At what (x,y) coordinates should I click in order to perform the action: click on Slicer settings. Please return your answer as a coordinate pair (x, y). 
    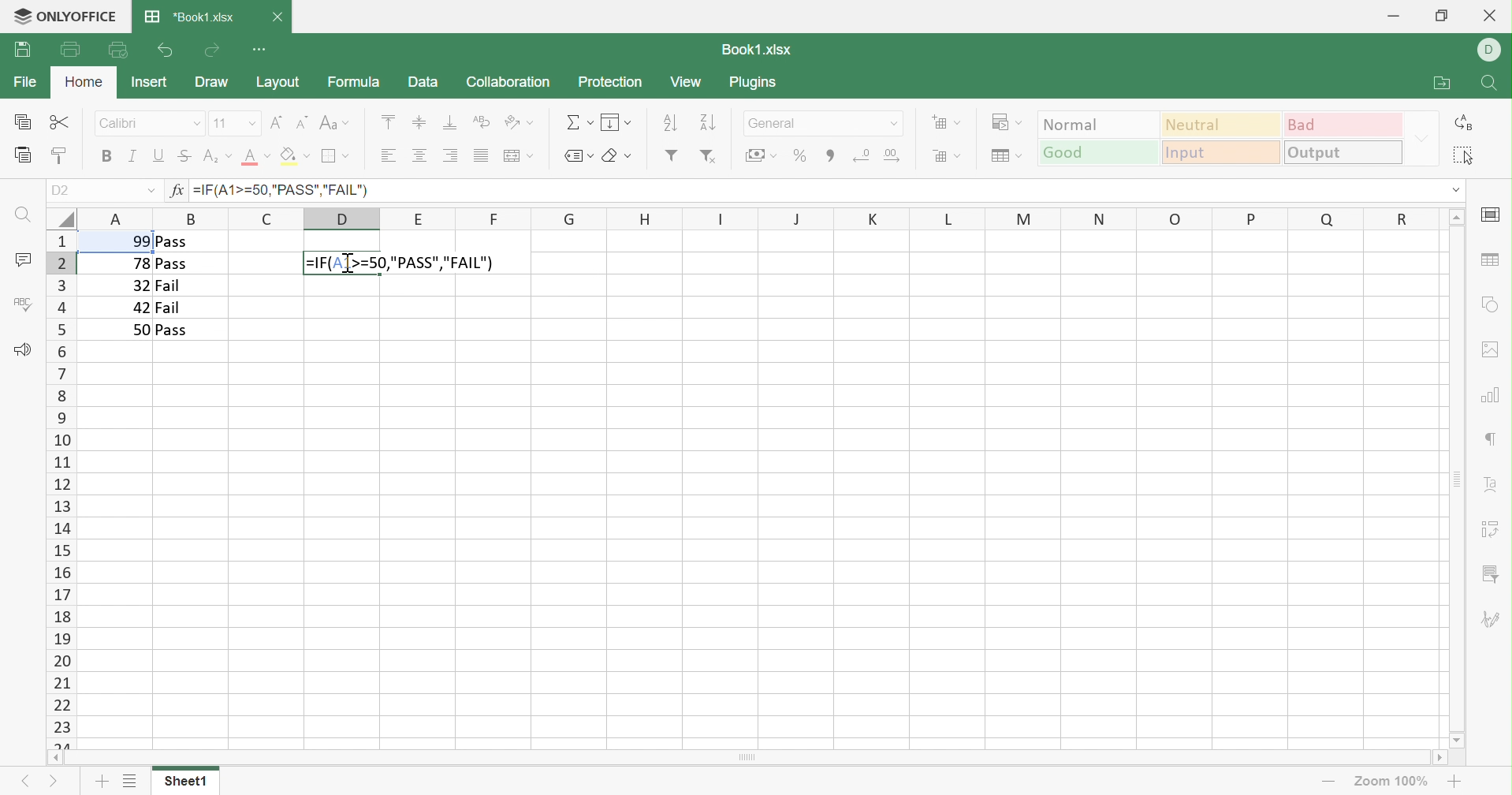
    Looking at the image, I should click on (1493, 575).